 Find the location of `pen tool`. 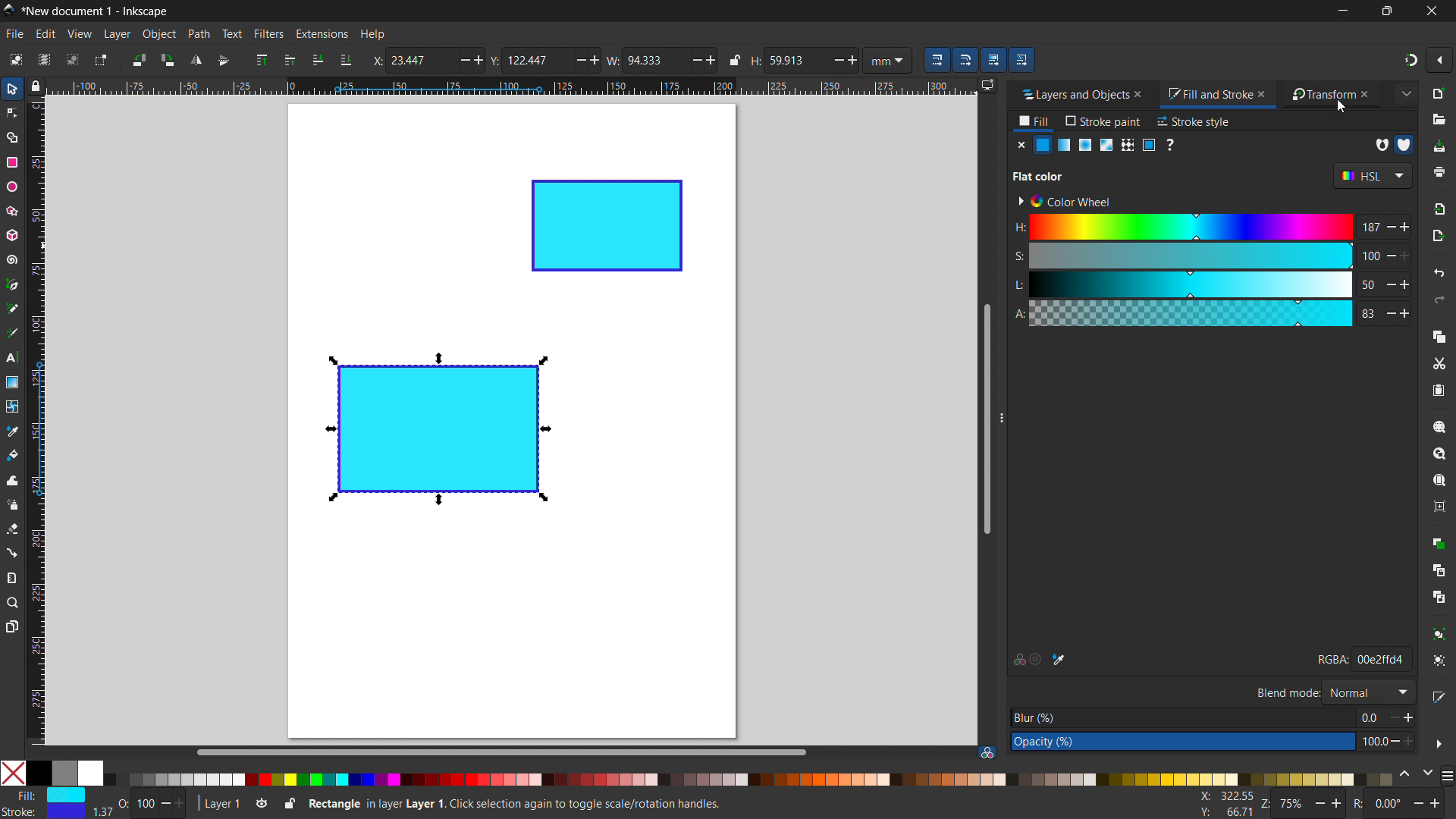

pen tool is located at coordinates (13, 284).